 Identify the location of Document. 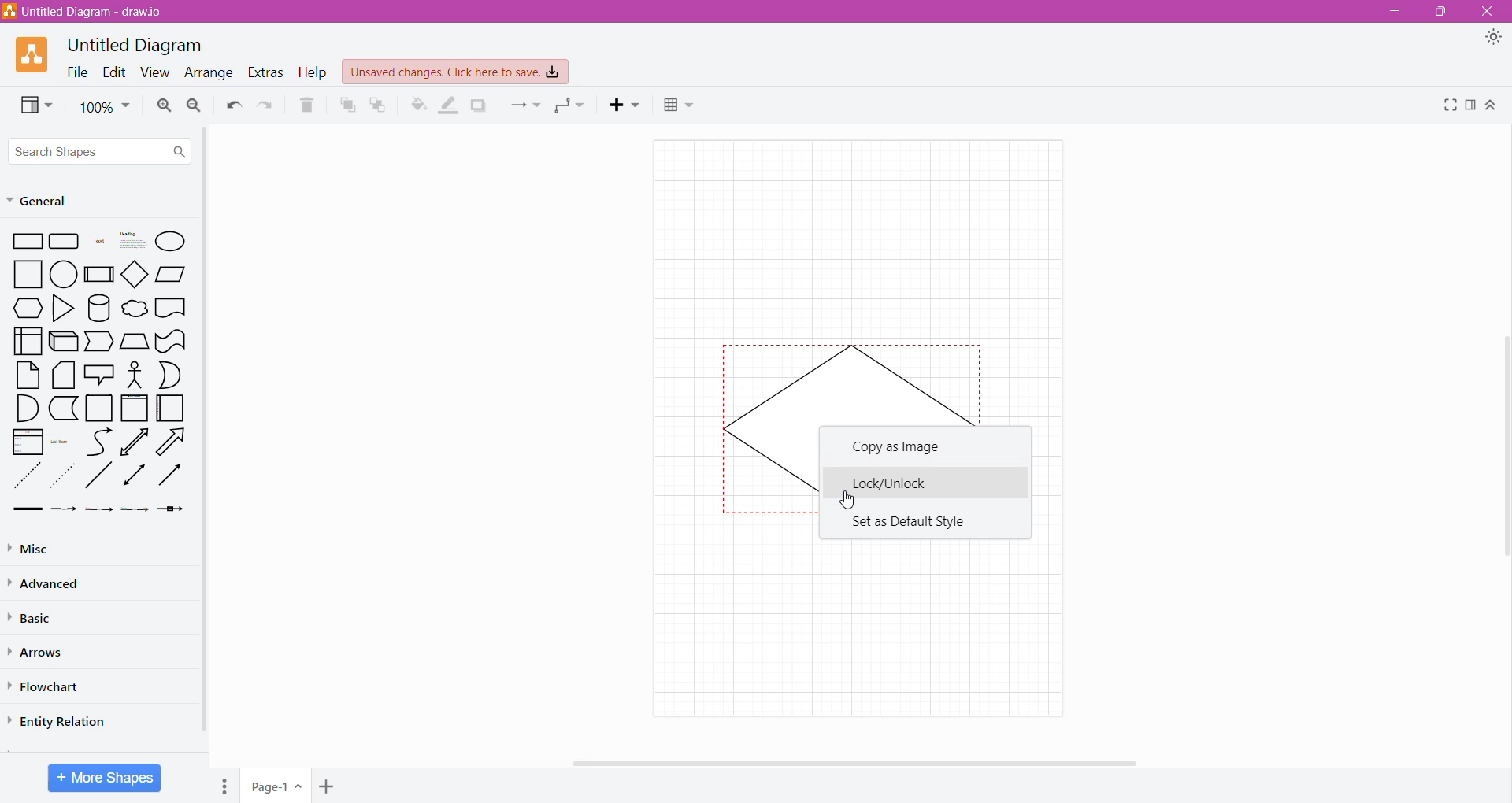
(171, 309).